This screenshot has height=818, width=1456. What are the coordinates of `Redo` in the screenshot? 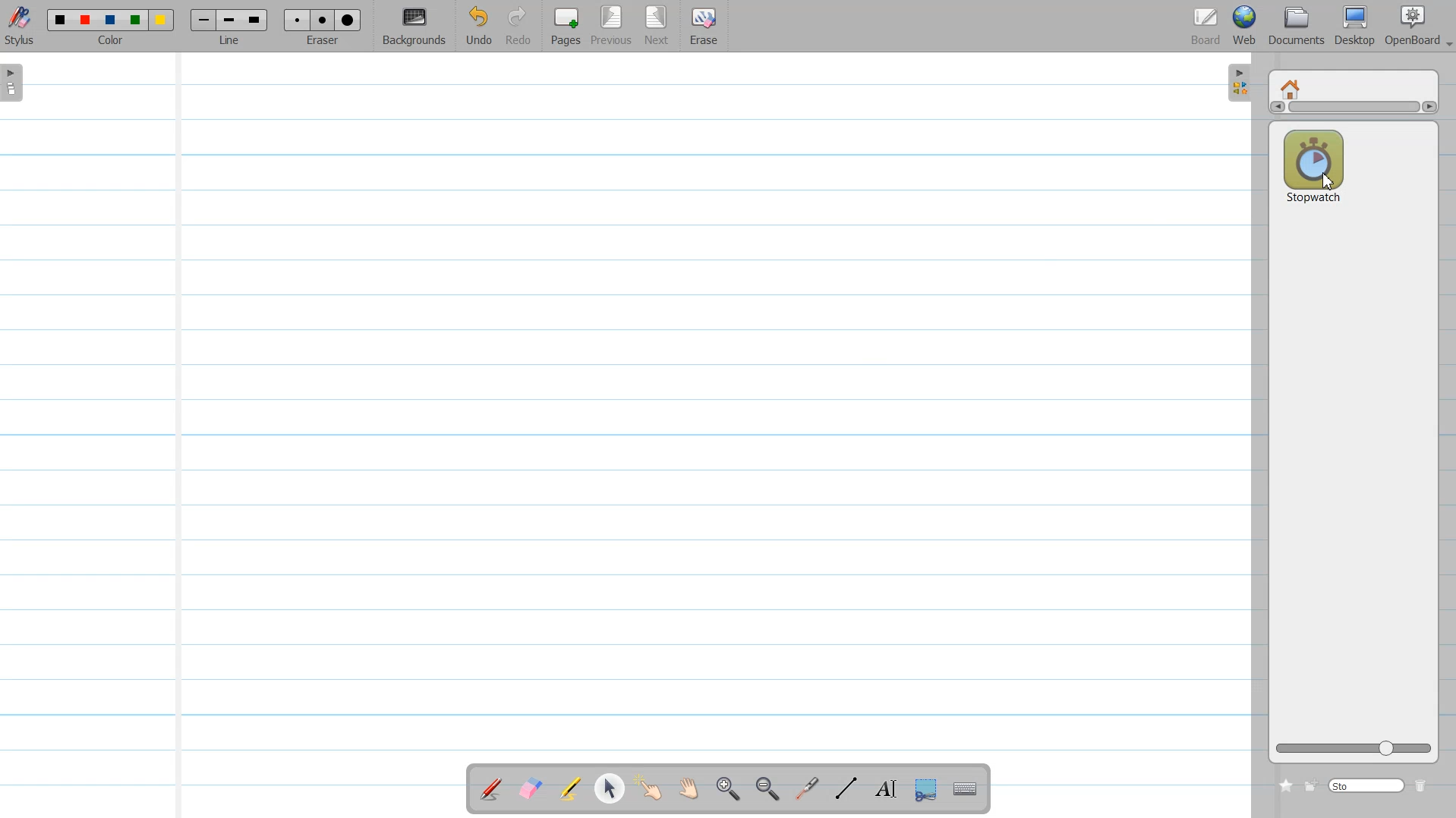 It's located at (519, 27).